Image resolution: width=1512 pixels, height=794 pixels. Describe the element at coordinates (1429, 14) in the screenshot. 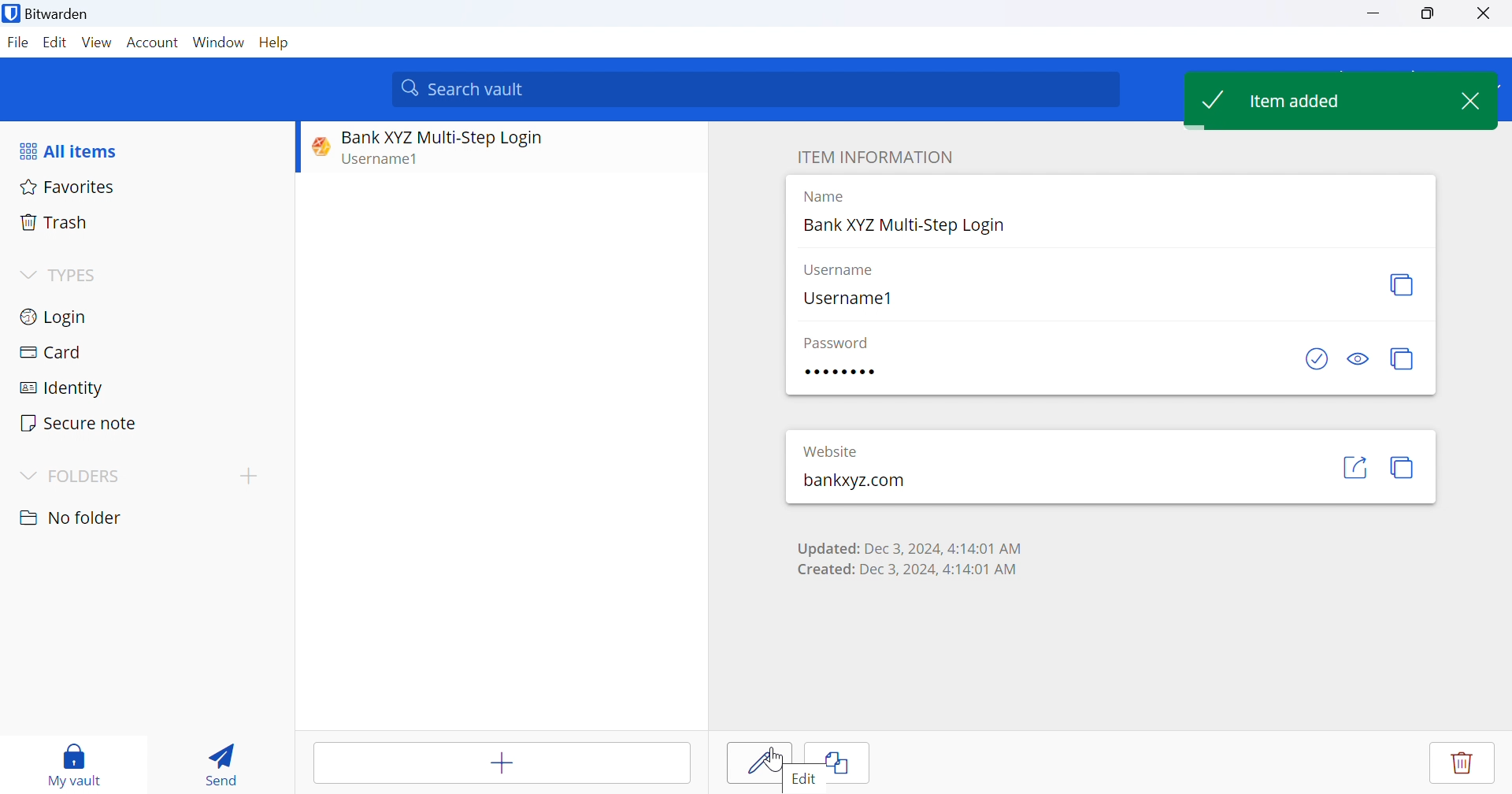

I see `Restore Down` at that location.